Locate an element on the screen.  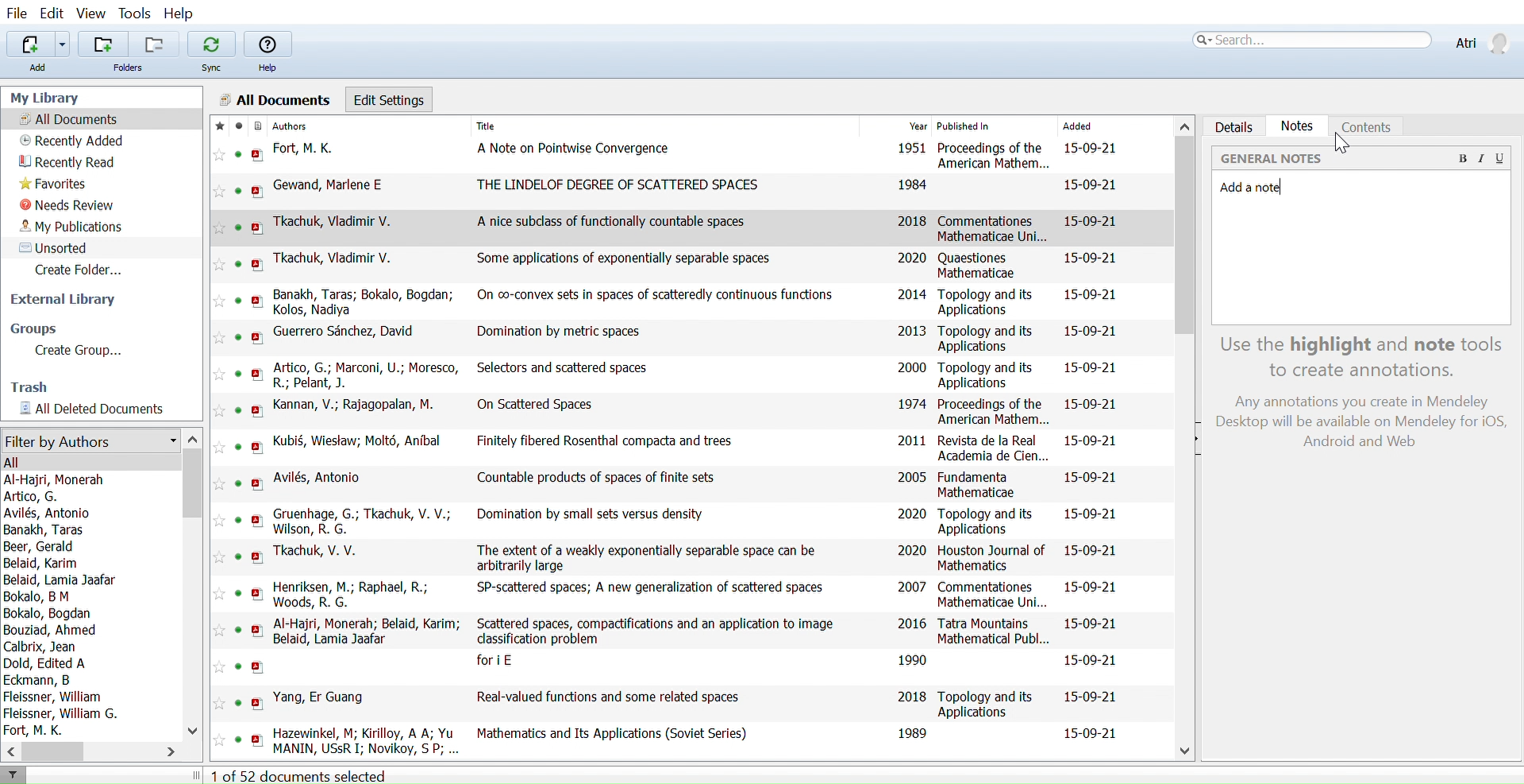
15-09-21 is located at coordinates (1094, 551).